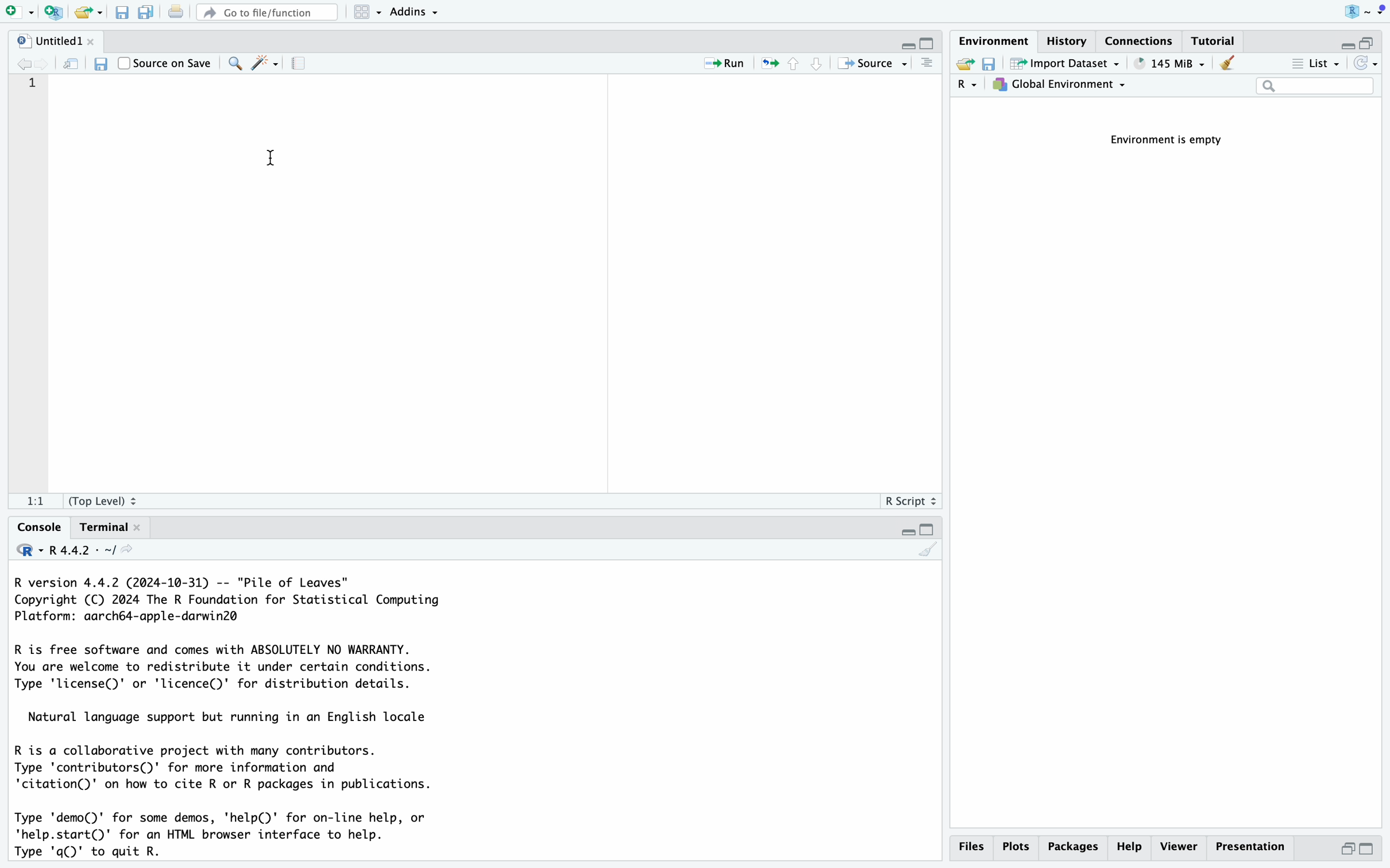 The image size is (1390, 868). Describe the element at coordinates (173, 11) in the screenshot. I see `print the current file` at that location.